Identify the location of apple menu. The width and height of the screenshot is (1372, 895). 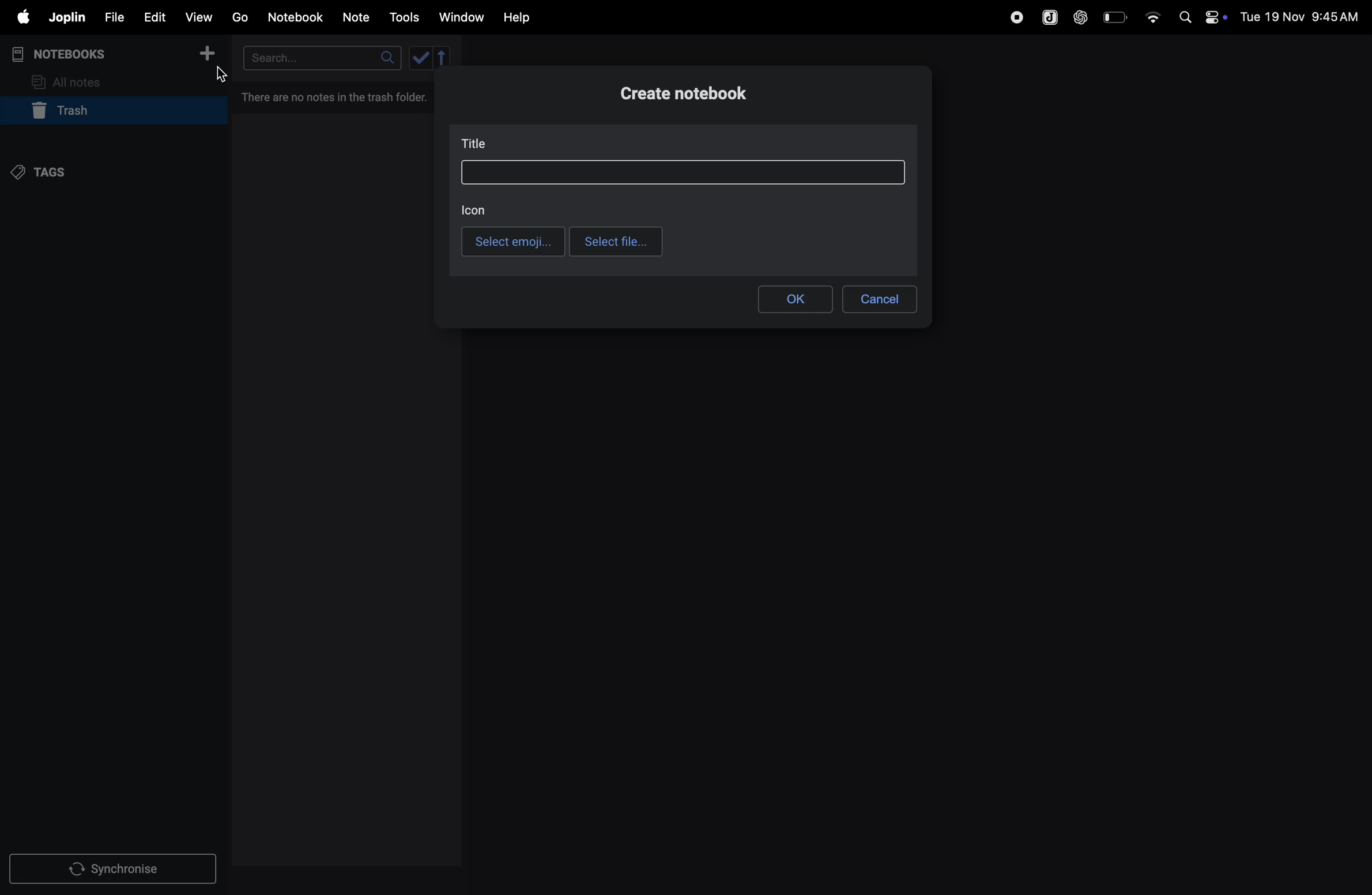
(18, 18).